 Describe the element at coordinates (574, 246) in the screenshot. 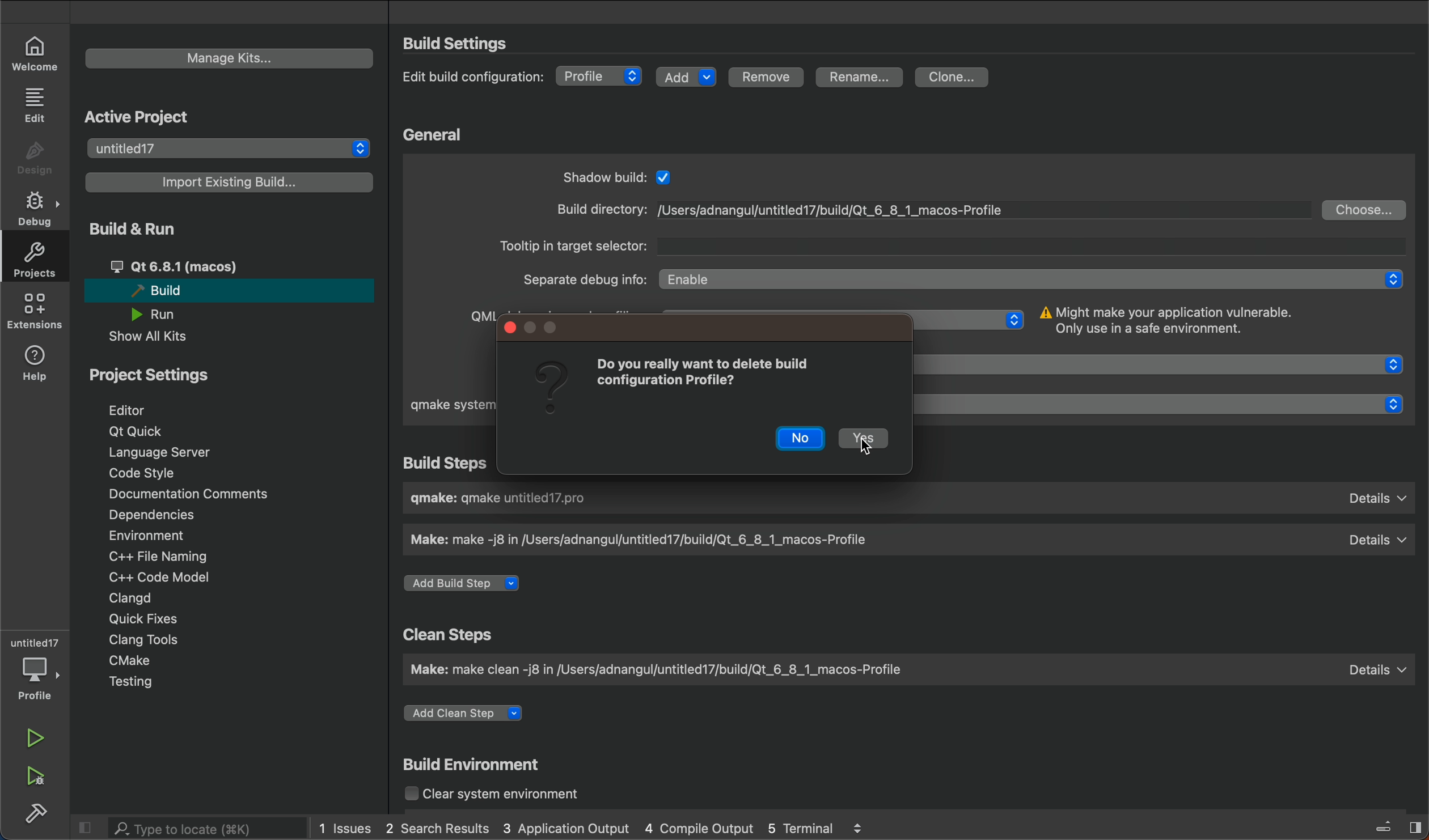

I see `tootlp` at that location.